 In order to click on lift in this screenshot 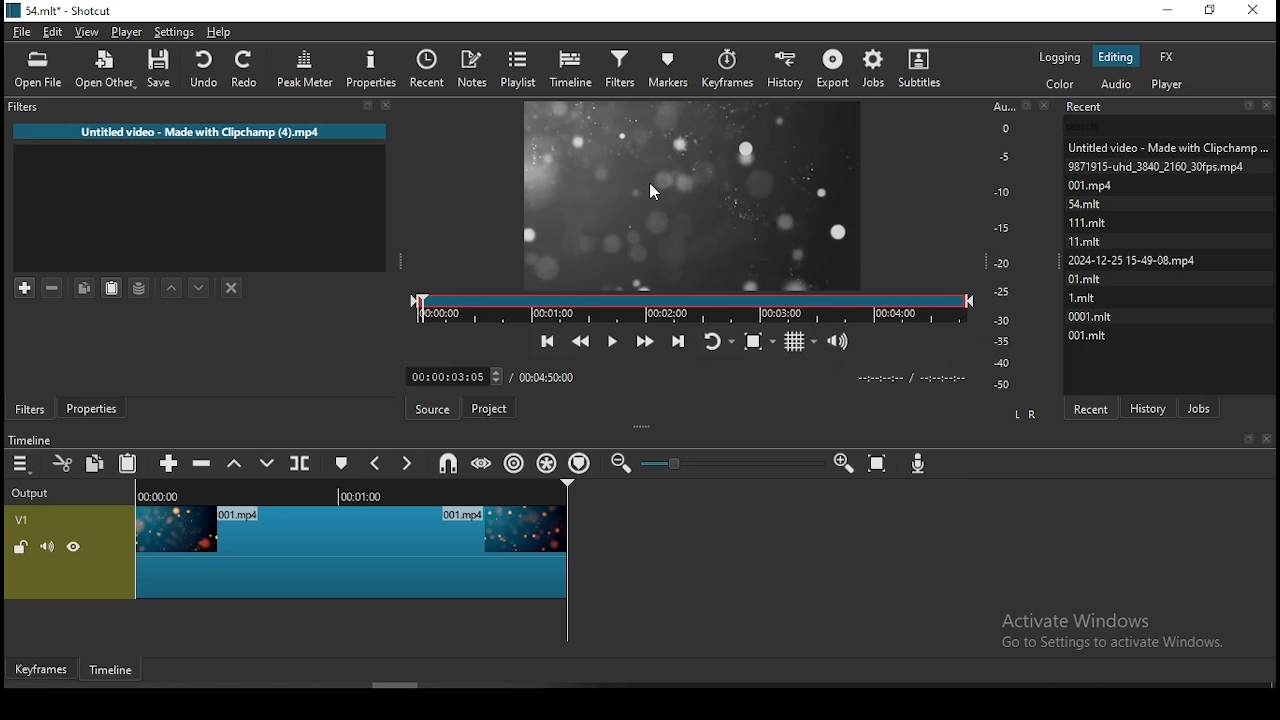, I will do `click(232, 464)`.